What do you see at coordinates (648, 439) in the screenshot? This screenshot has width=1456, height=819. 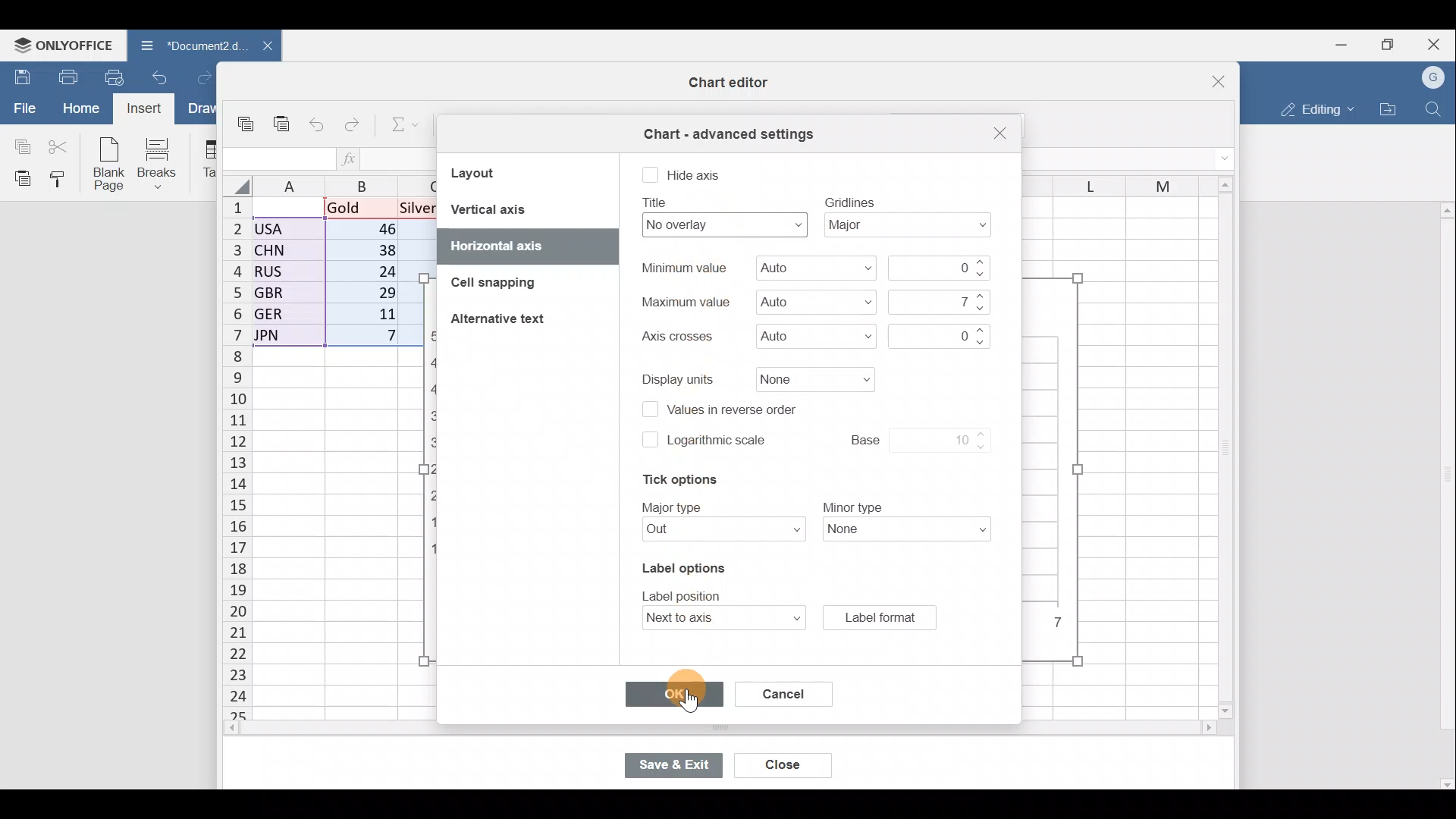 I see `checkbox` at bounding box center [648, 439].